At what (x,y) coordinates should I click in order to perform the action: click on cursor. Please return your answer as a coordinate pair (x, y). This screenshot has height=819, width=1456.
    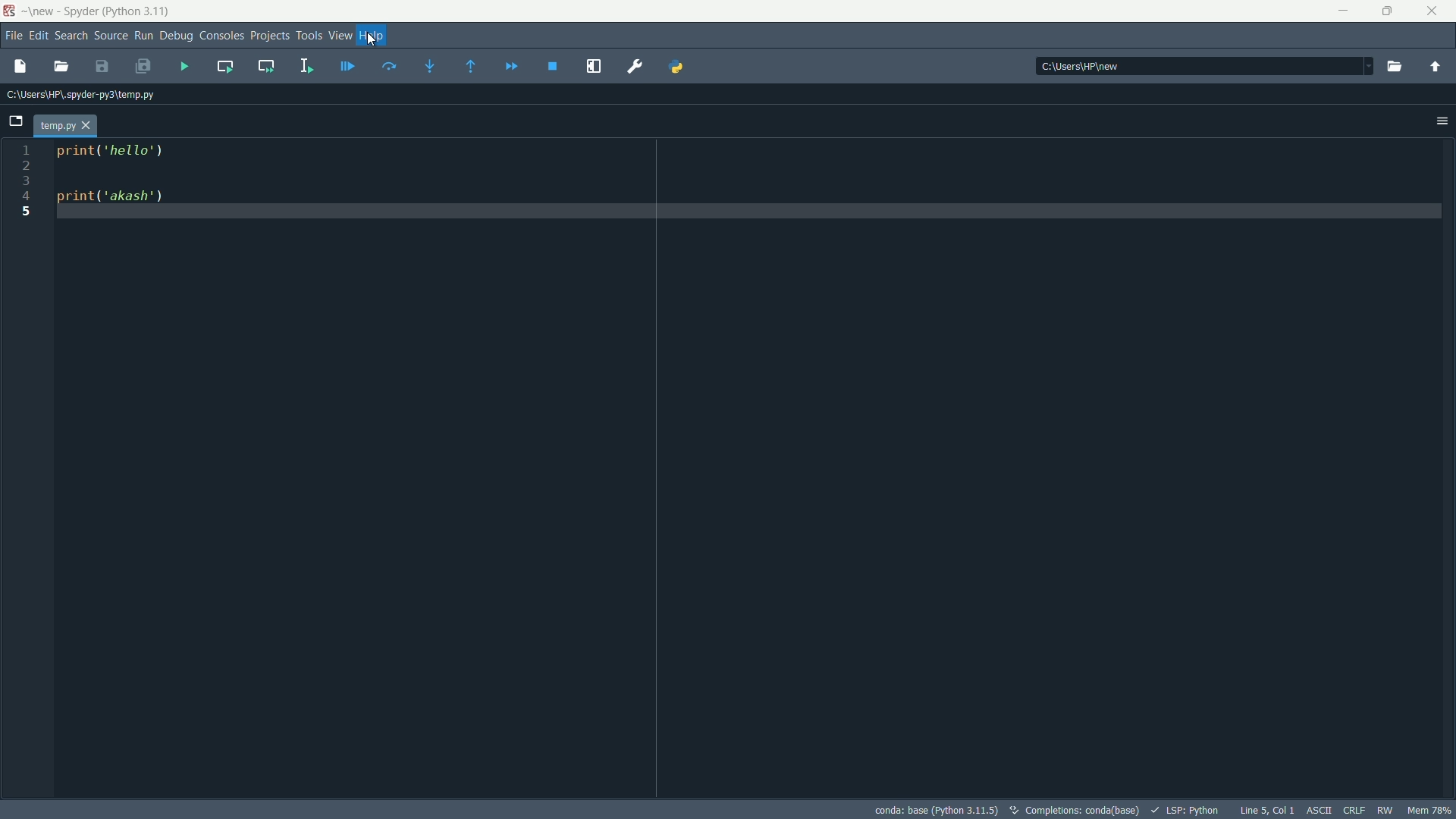
    Looking at the image, I should click on (372, 42).